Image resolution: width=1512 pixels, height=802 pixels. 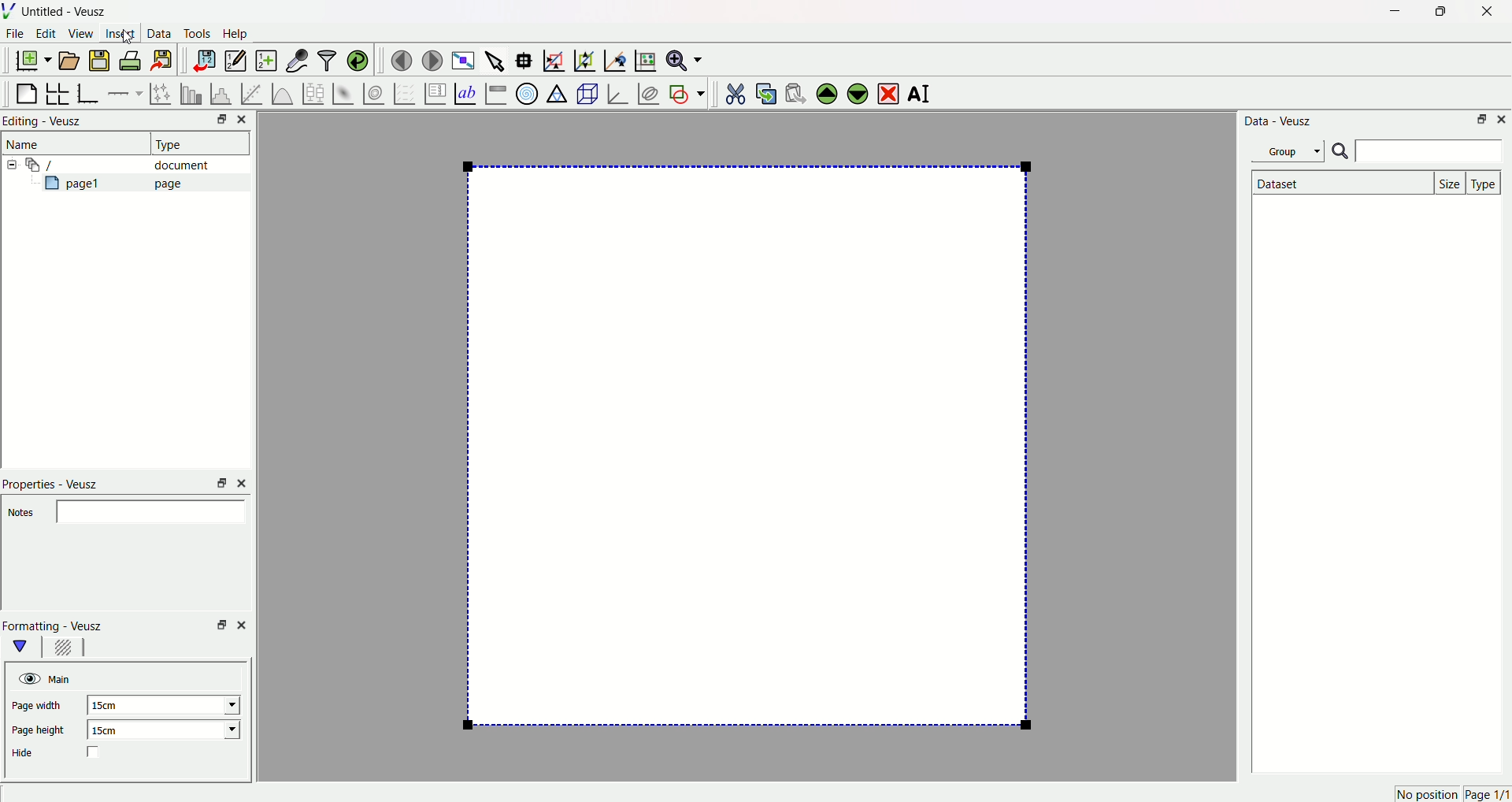 What do you see at coordinates (124, 182) in the screenshot?
I see `pagel1 page` at bounding box center [124, 182].